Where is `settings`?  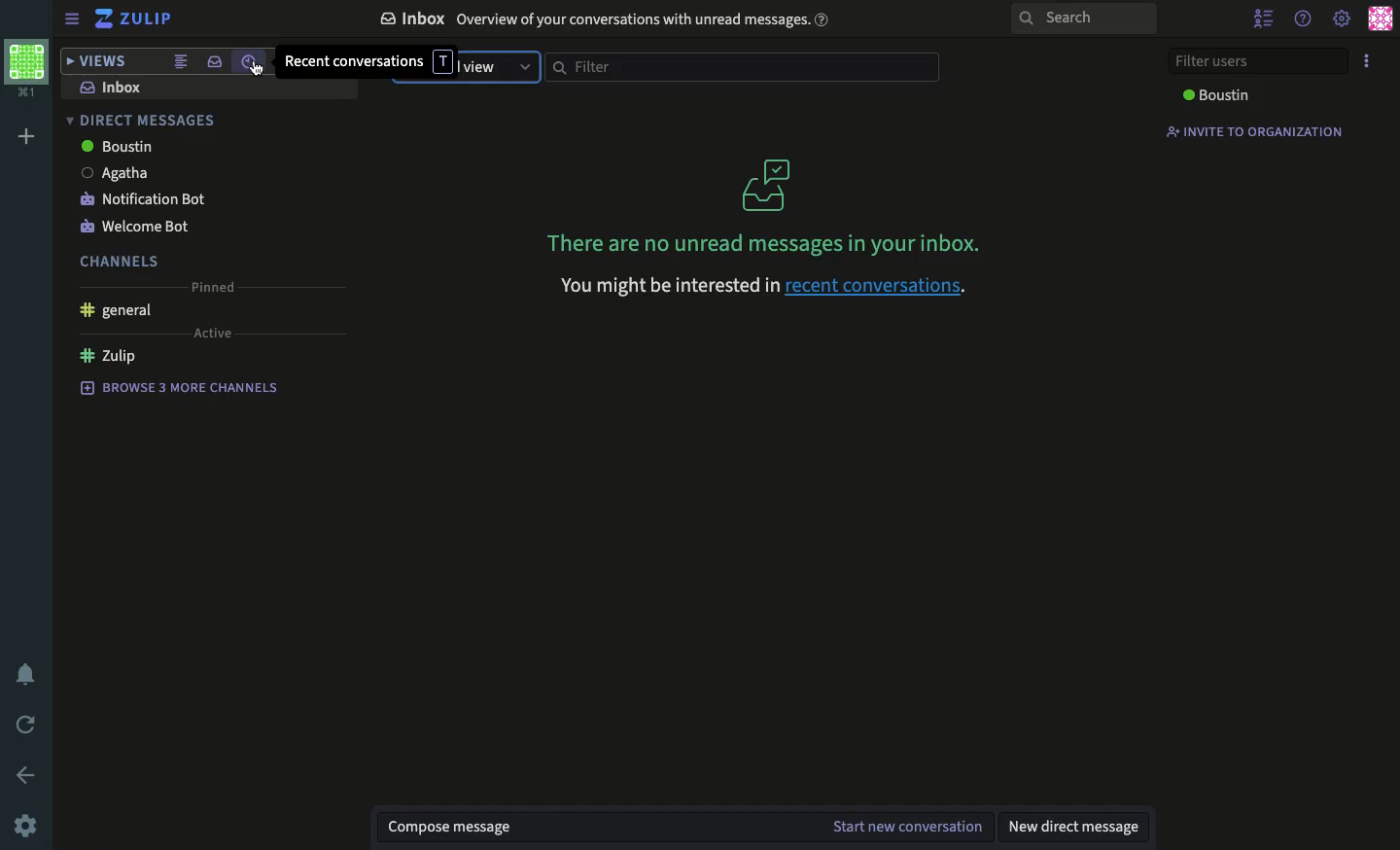
settings is located at coordinates (1343, 18).